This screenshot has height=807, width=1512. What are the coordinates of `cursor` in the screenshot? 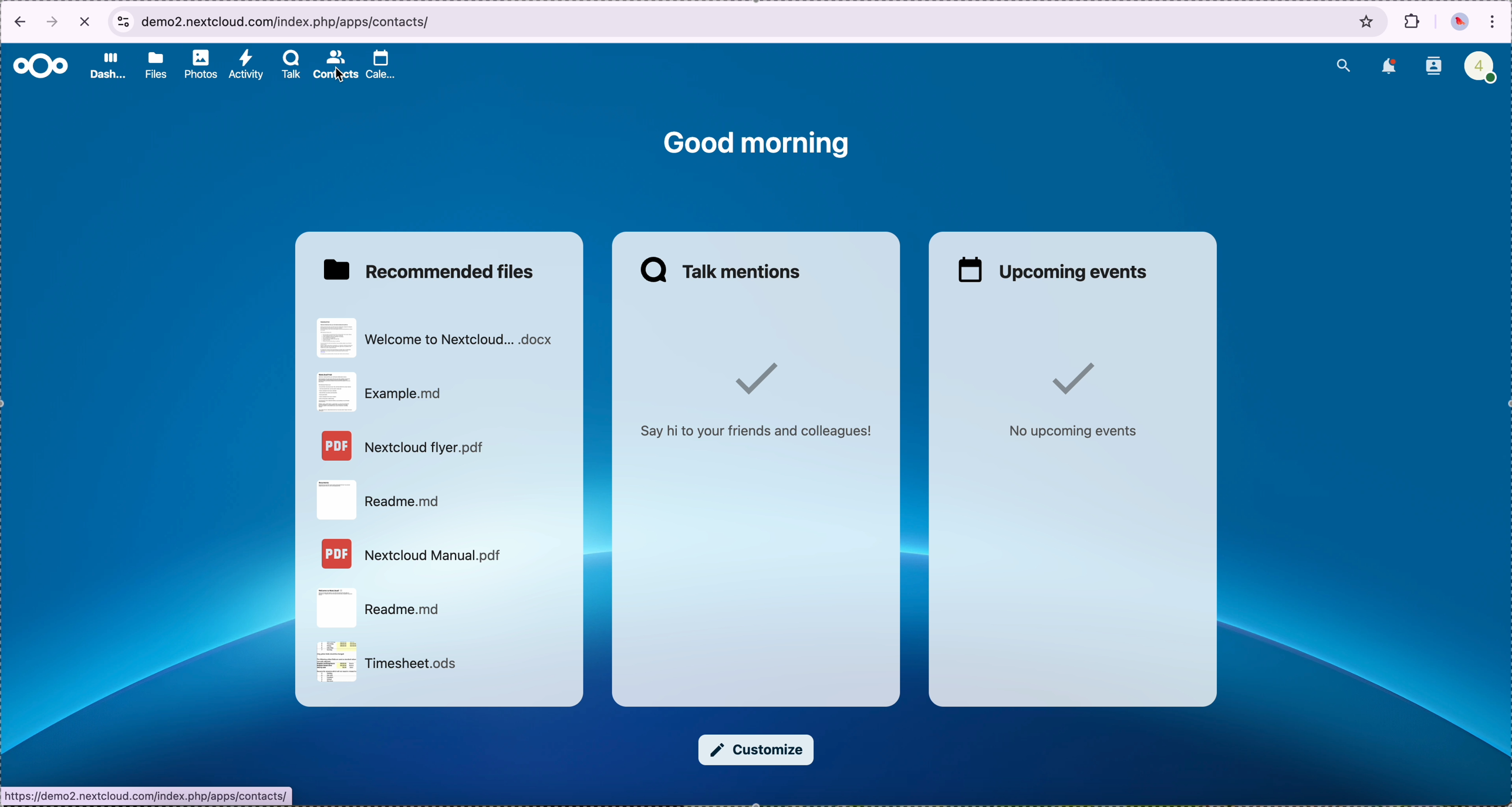 It's located at (343, 77).